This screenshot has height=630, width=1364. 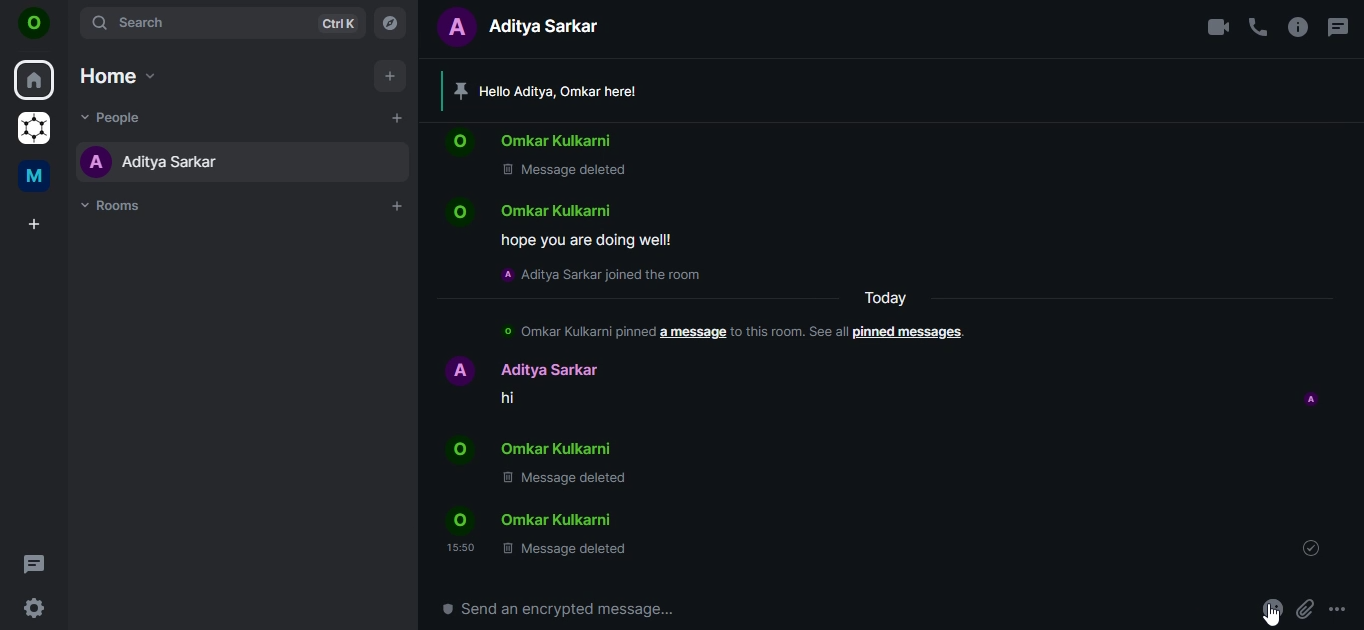 What do you see at coordinates (148, 161) in the screenshot?
I see `aditya sarkar` at bounding box center [148, 161].